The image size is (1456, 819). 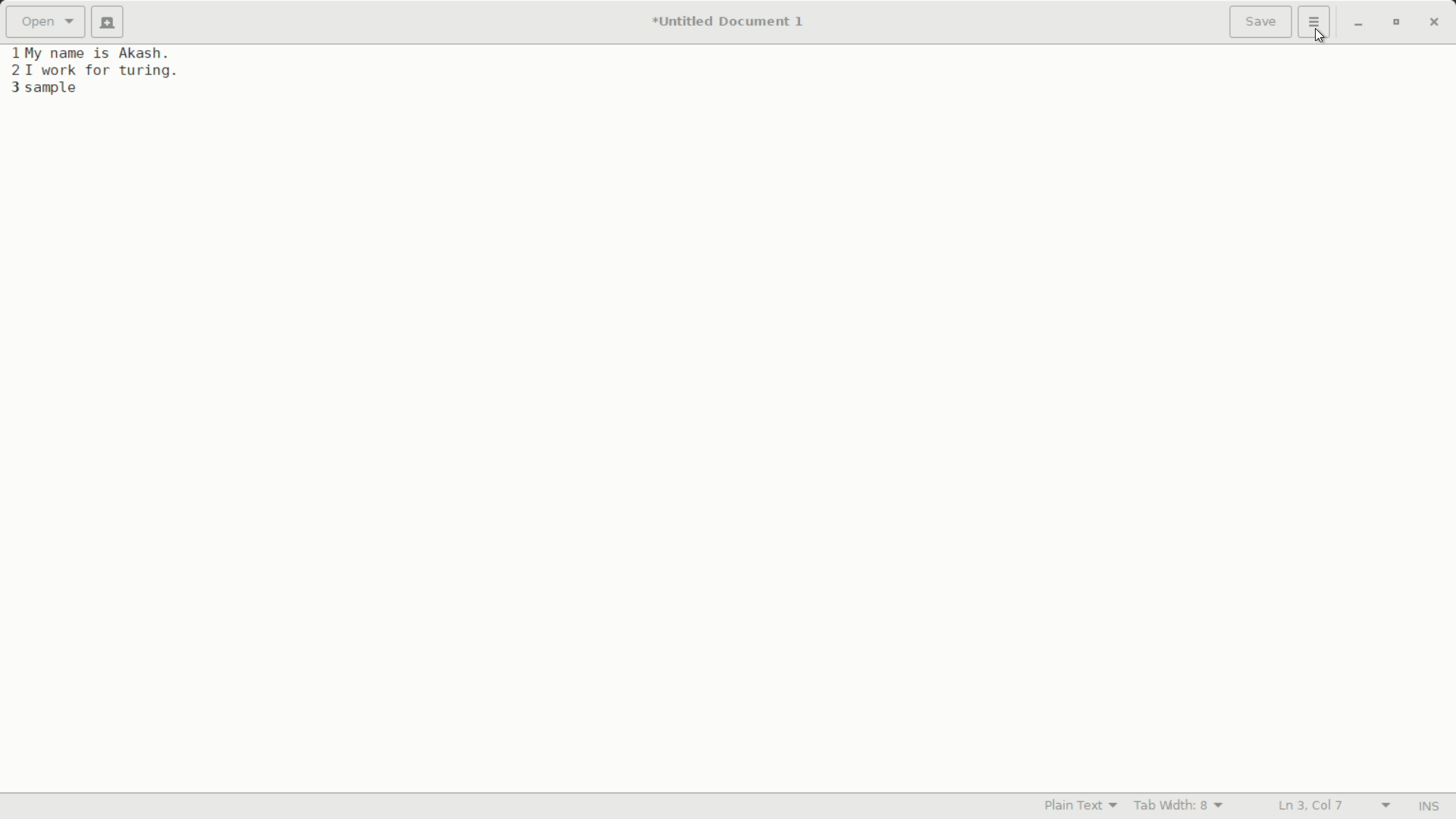 What do you see at coordinates (1317, 37) in the screenshot?
I see `cursor` at bounding box center [1317, 37].